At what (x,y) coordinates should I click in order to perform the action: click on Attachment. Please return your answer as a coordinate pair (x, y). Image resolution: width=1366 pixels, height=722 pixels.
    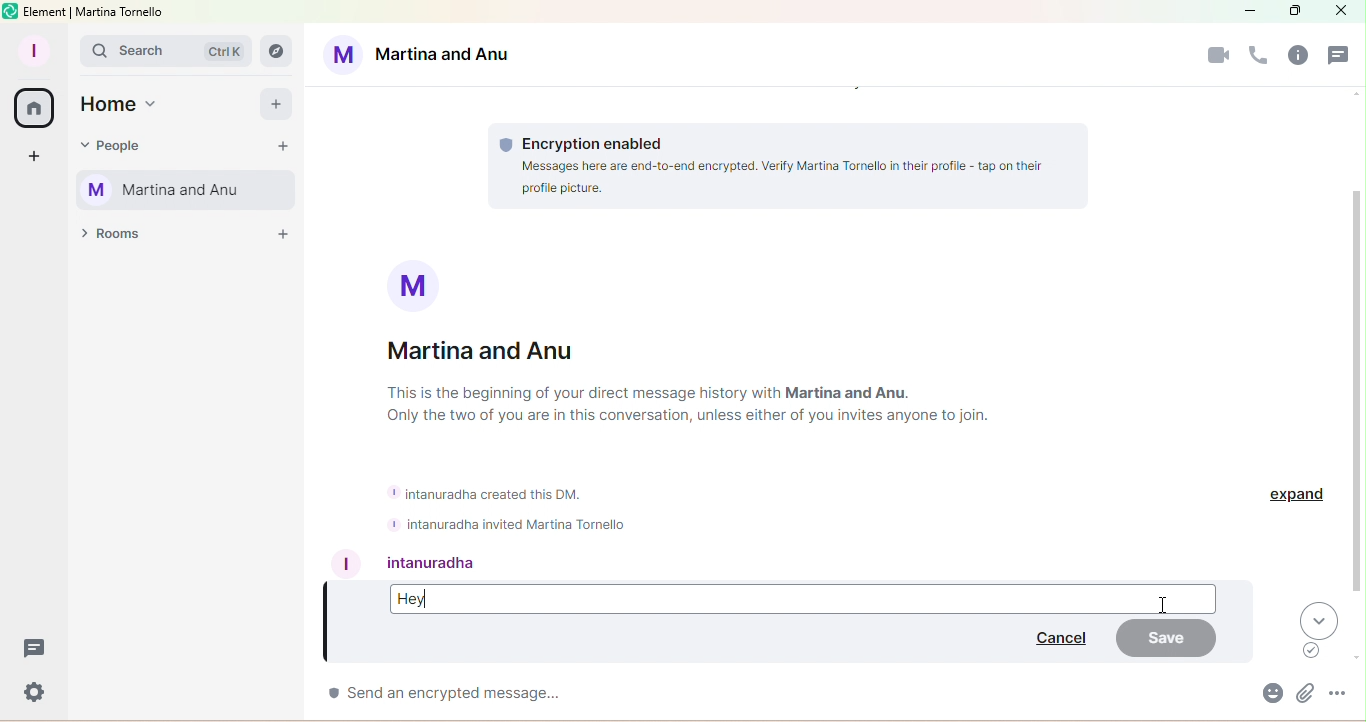
    Looking at the image, I should click on (1302, 696).